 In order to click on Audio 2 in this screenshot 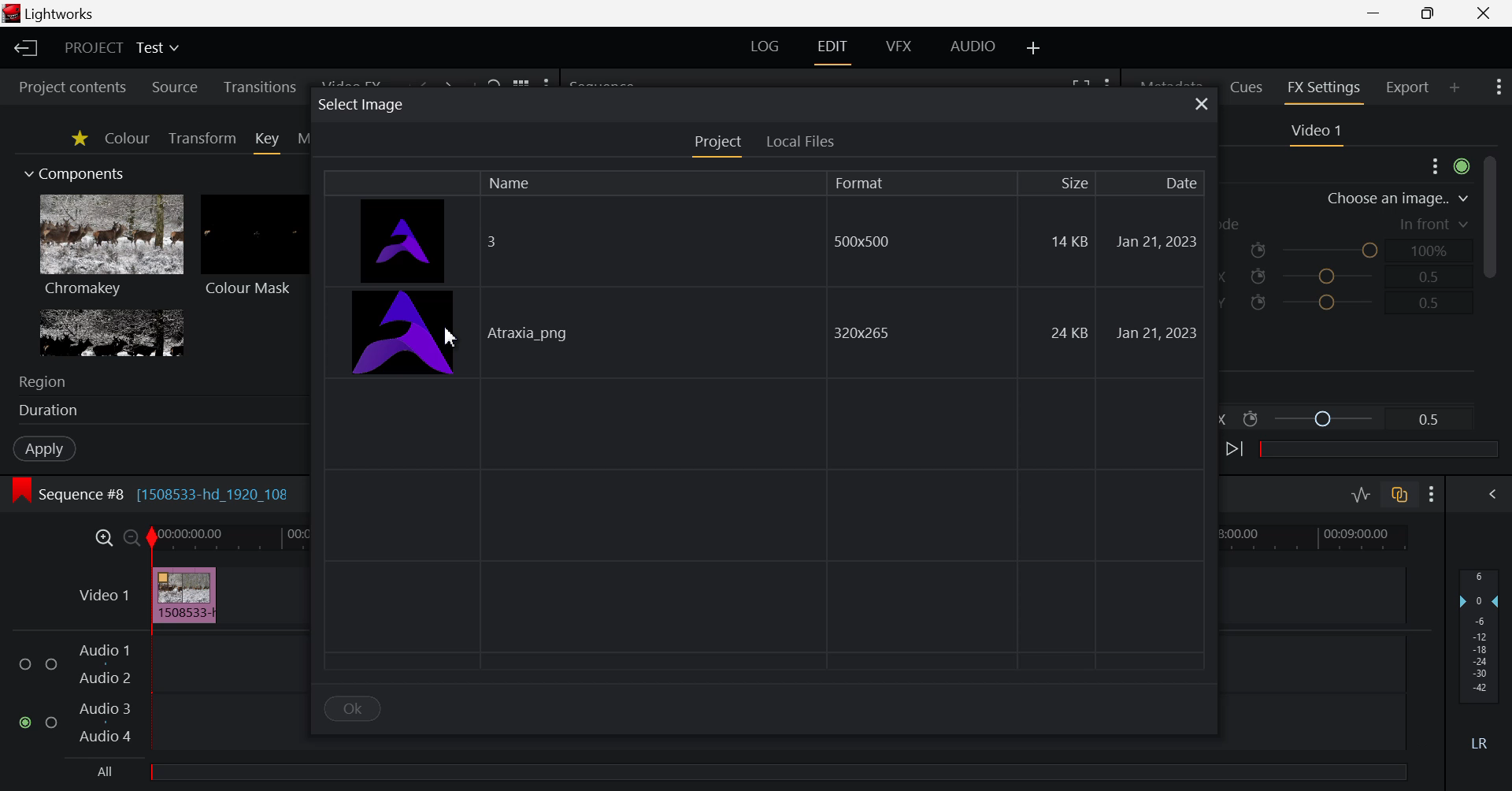, I will do `click(104, 677)`.